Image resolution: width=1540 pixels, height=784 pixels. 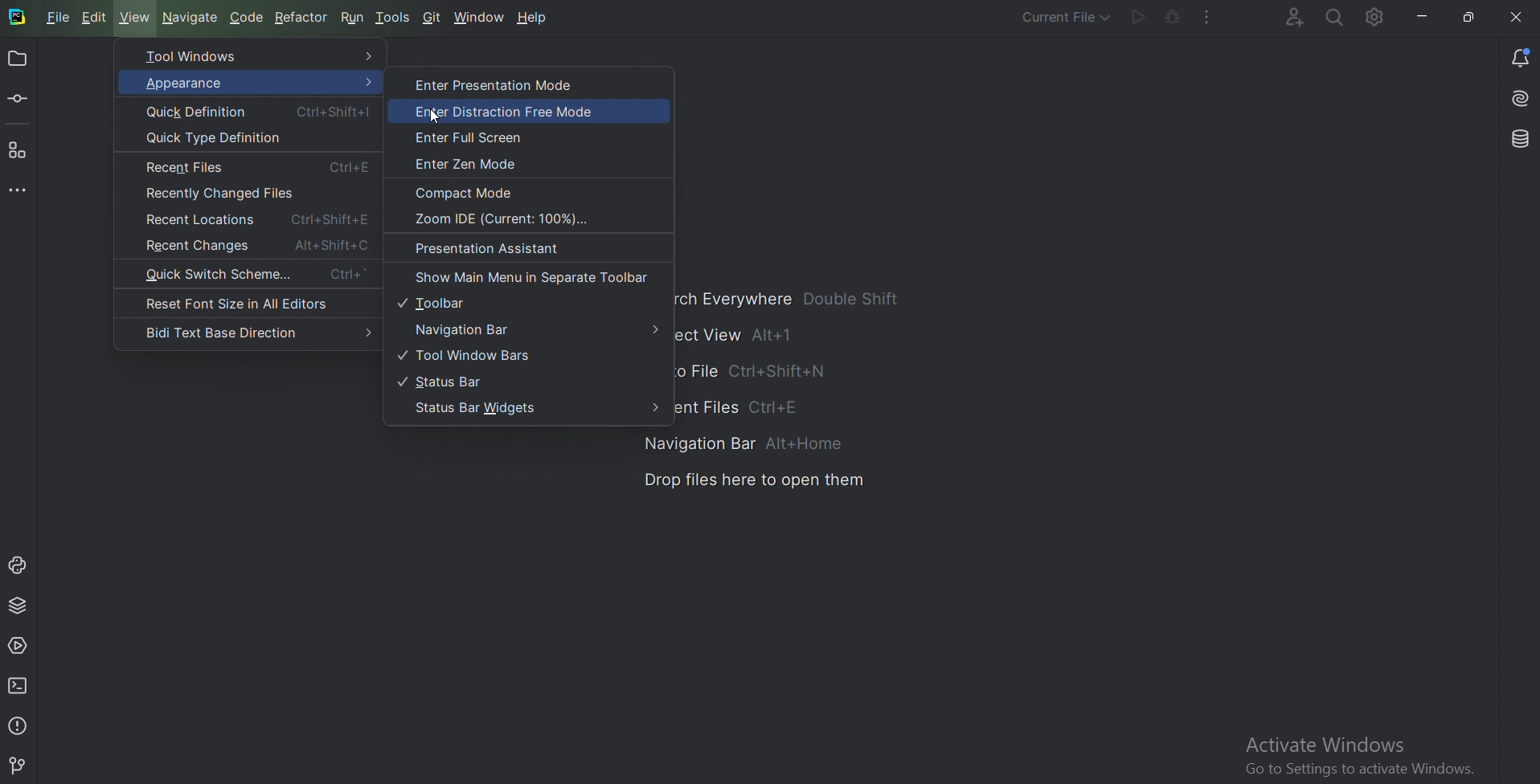 What do you see at coordinates (137, 17) in the screenshot?
I see `View` at bounding box center [137, 17].